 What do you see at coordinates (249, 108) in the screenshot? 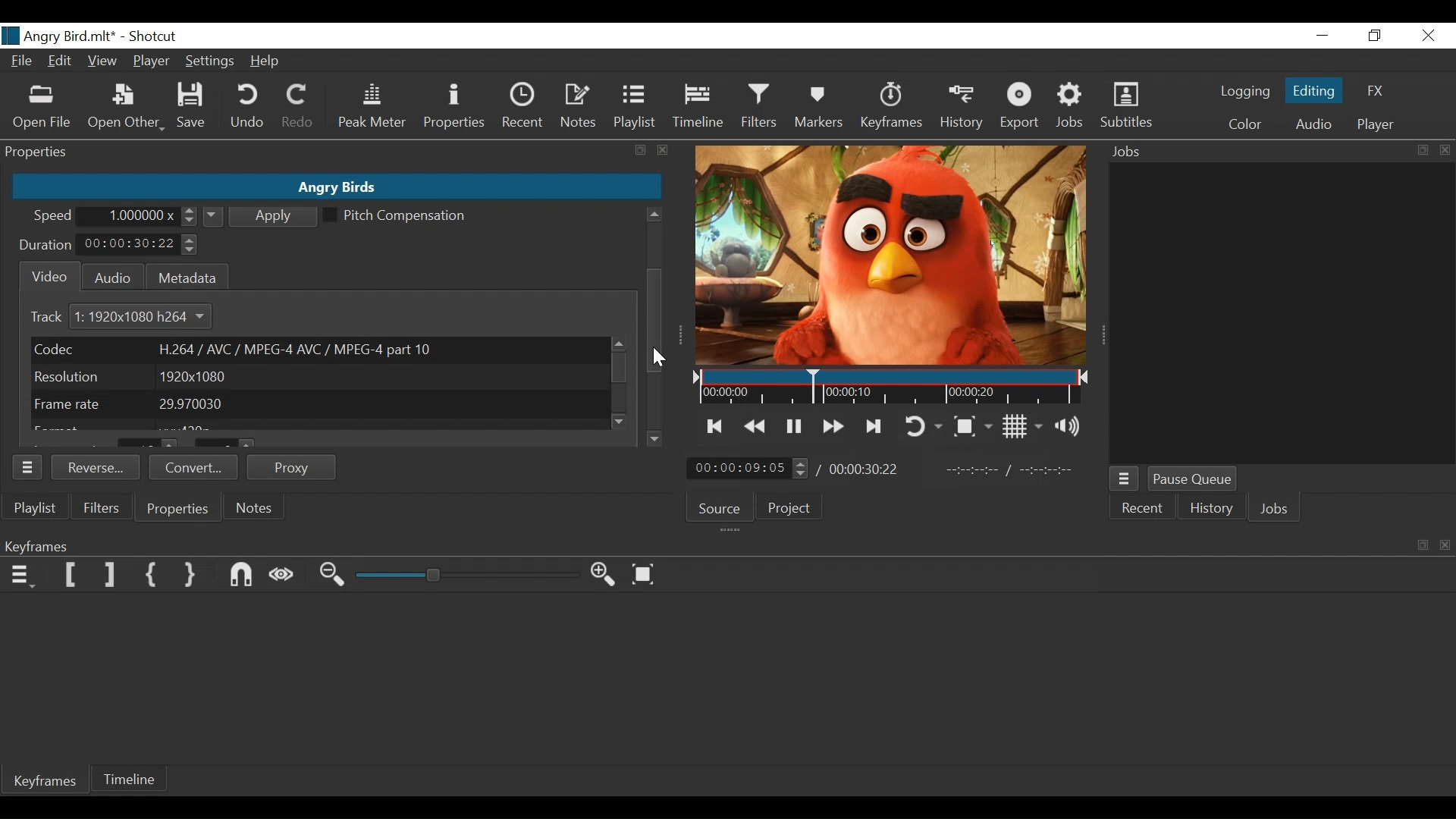
I see `Undo` at bounding box center [249, 108].